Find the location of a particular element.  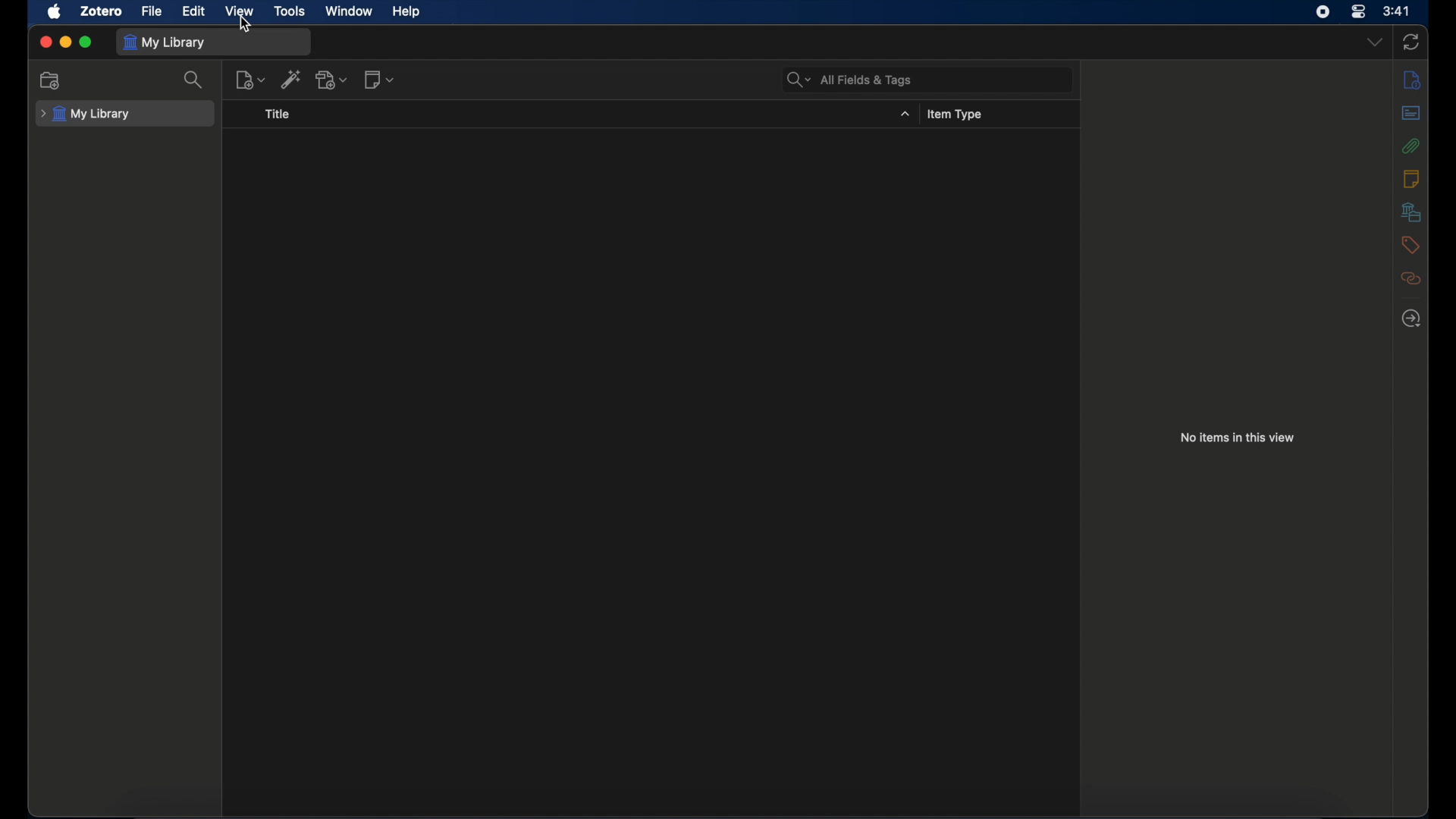

add attachment is located at coordinates (332, 80).